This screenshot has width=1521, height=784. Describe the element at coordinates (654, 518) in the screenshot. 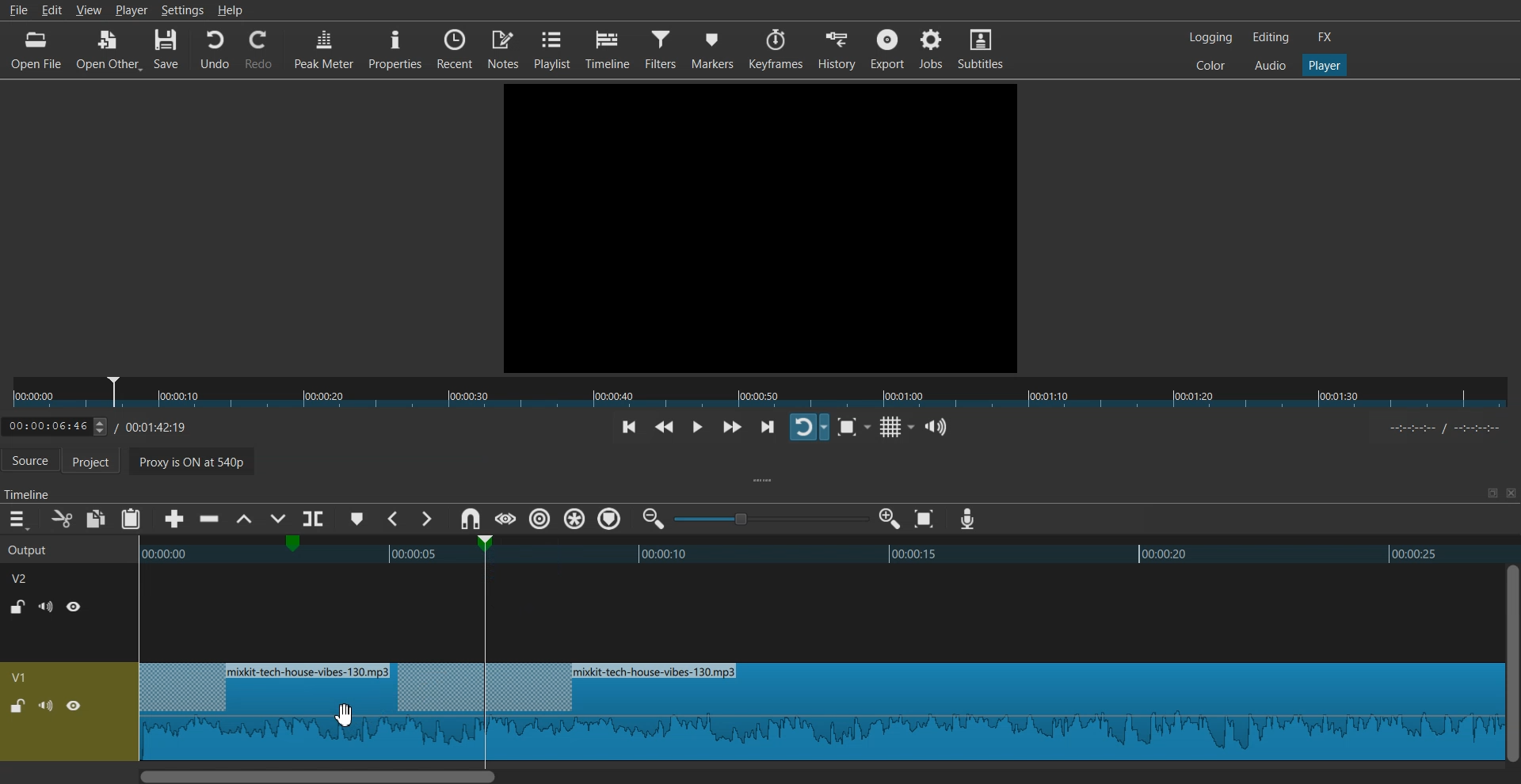

I see `Zoom timeline out` at that location.